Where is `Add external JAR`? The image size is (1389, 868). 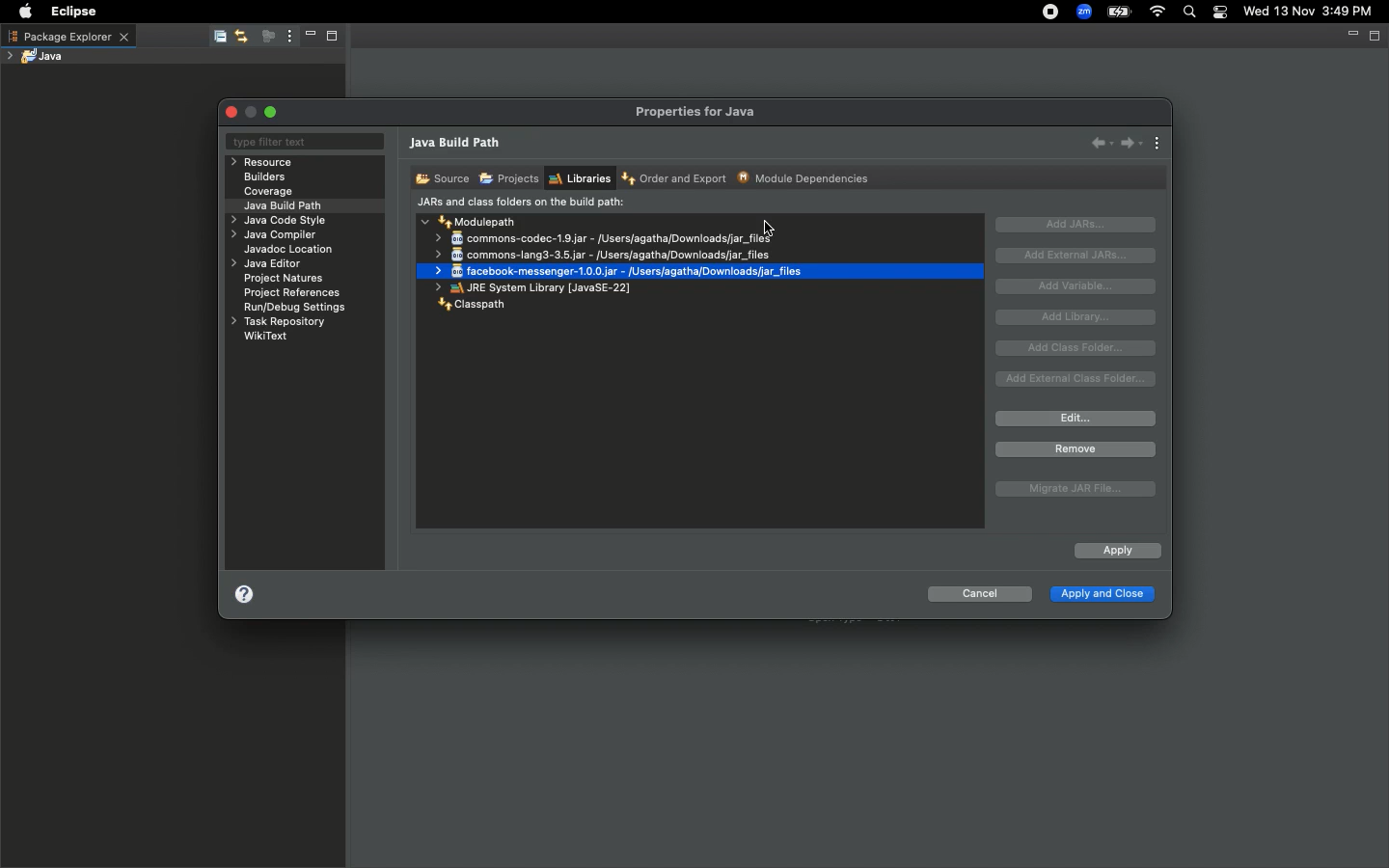
Add external JAR is located at coordinates (1076, 255).